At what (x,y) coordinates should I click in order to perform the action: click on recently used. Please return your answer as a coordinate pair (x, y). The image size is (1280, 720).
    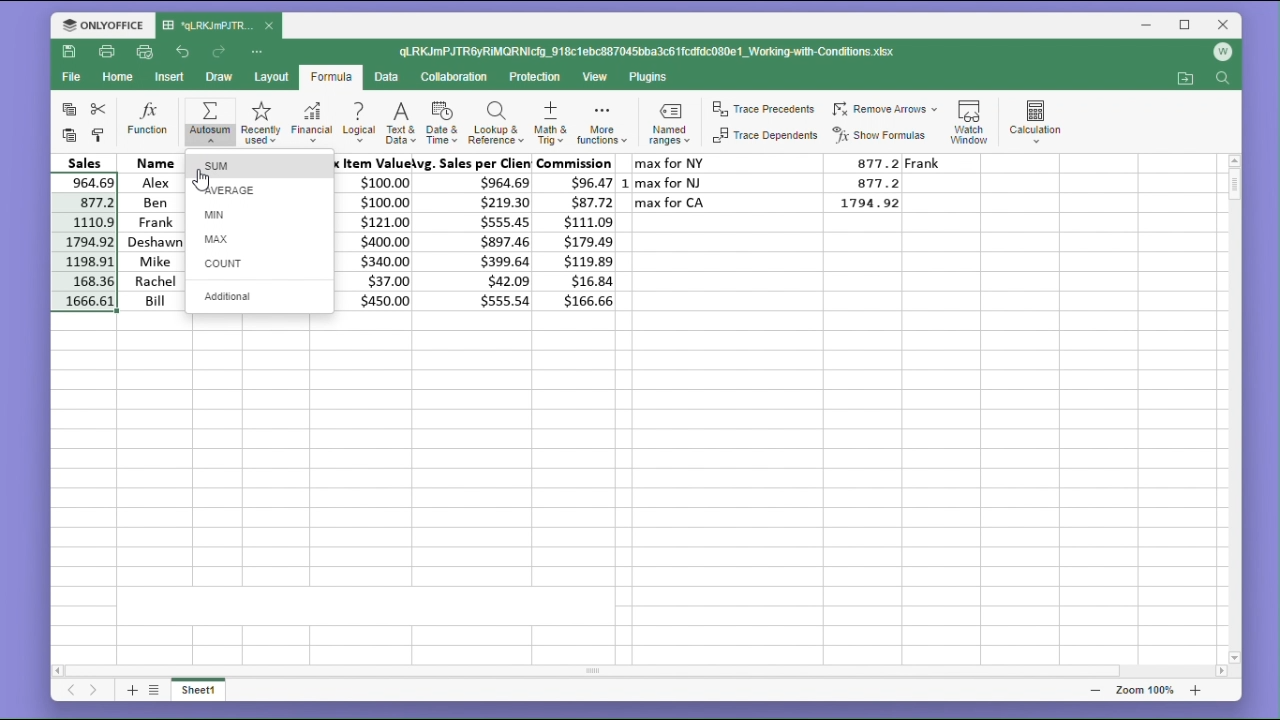
    Looking at the image, I should click on (260, 120).